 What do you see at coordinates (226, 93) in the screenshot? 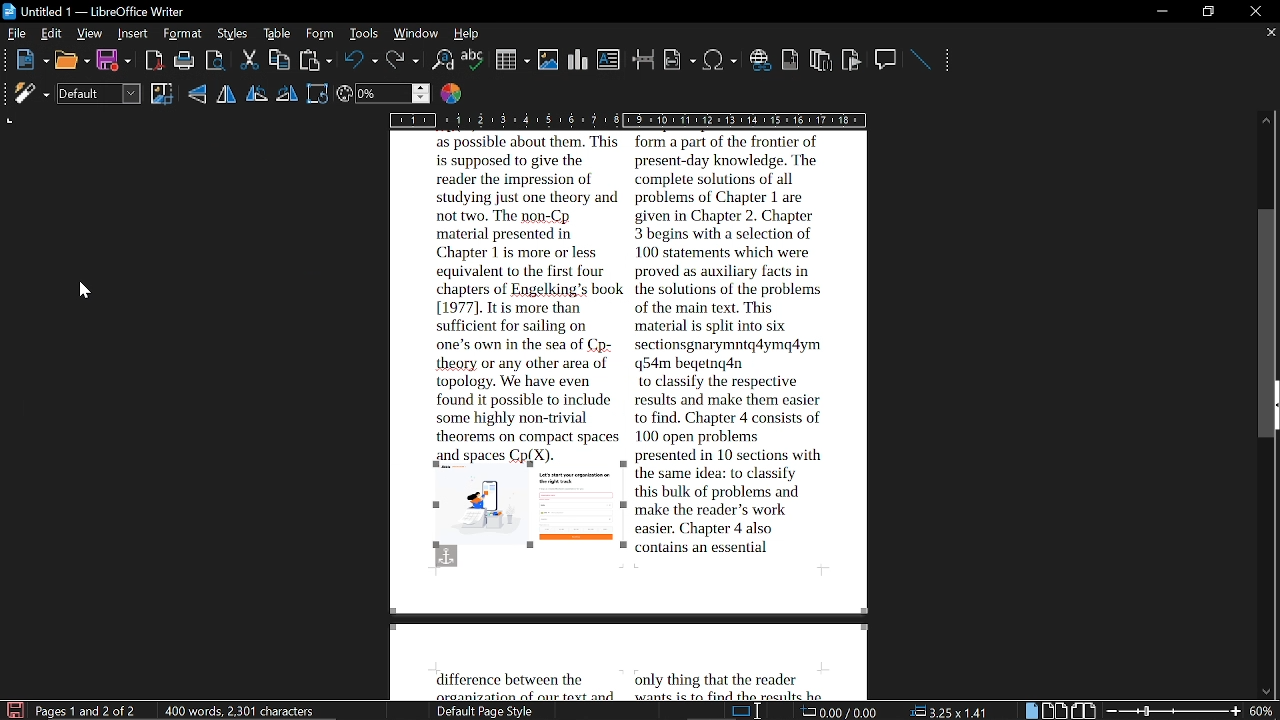
I see `flip horizontally` at bounding box center [226, 93].